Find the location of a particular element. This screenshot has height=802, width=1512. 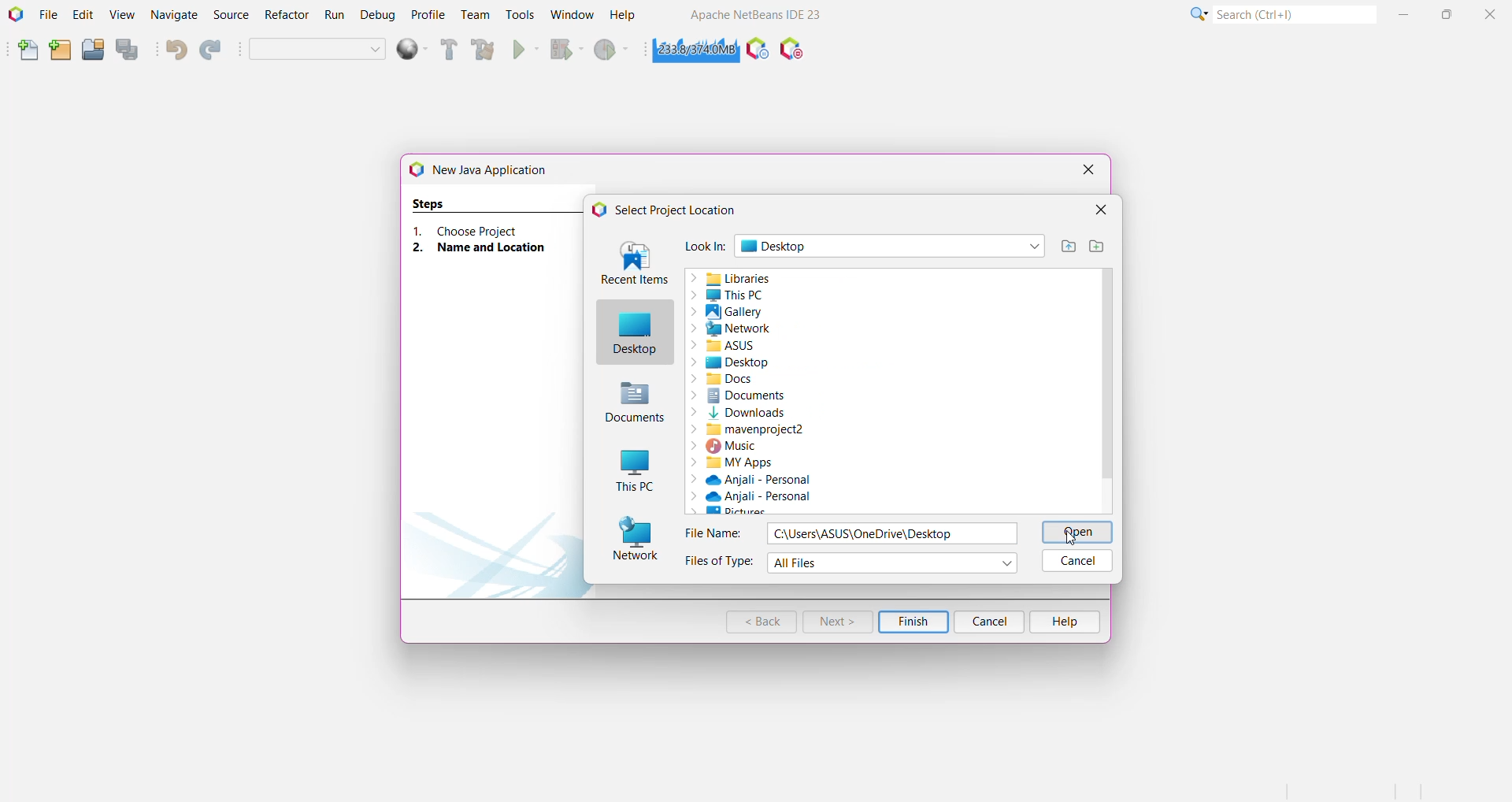

Recent Items is located at coordinates (632, 265).